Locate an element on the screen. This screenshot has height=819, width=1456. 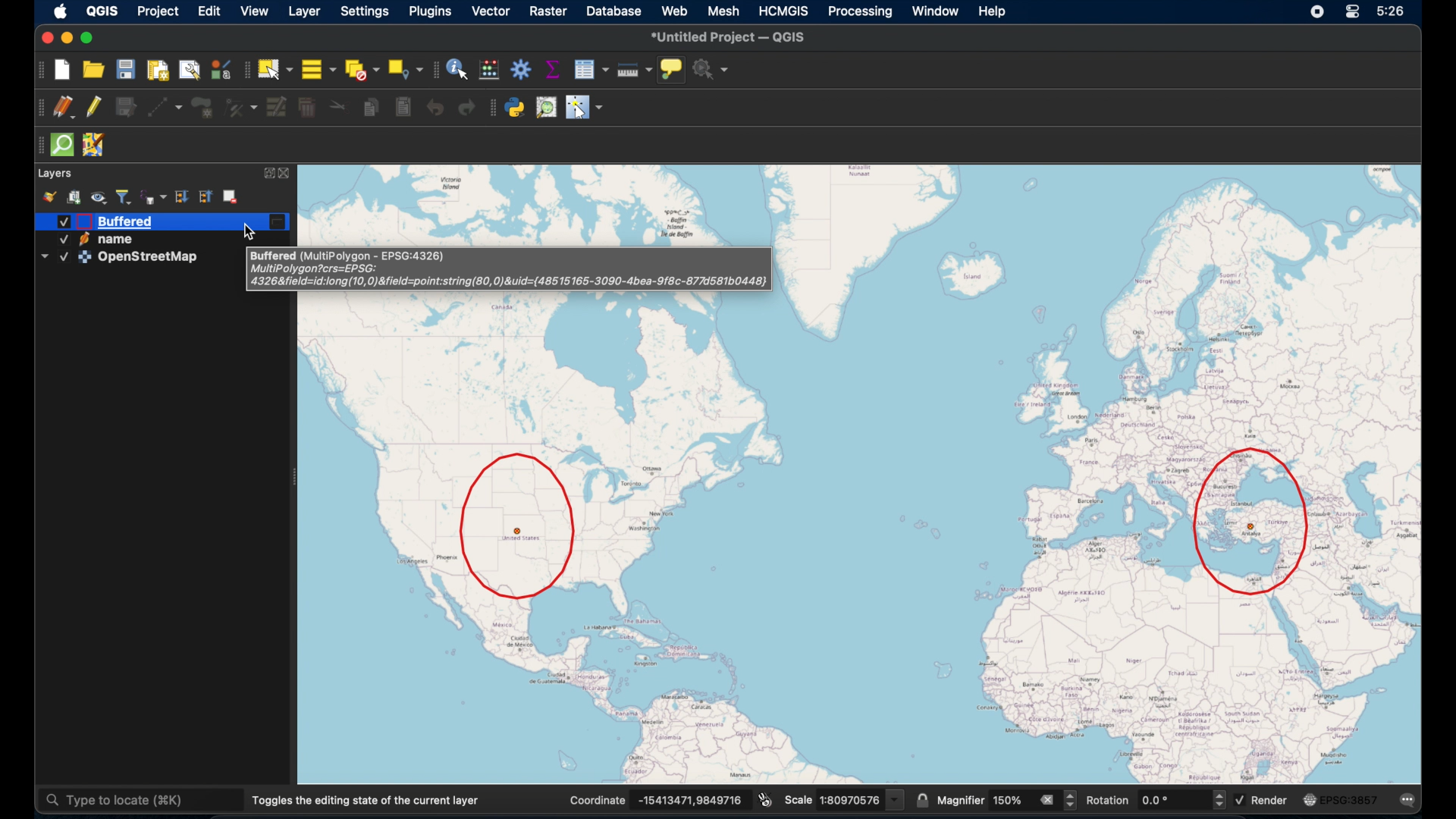
show map tips is located at coordinates (671, 69).